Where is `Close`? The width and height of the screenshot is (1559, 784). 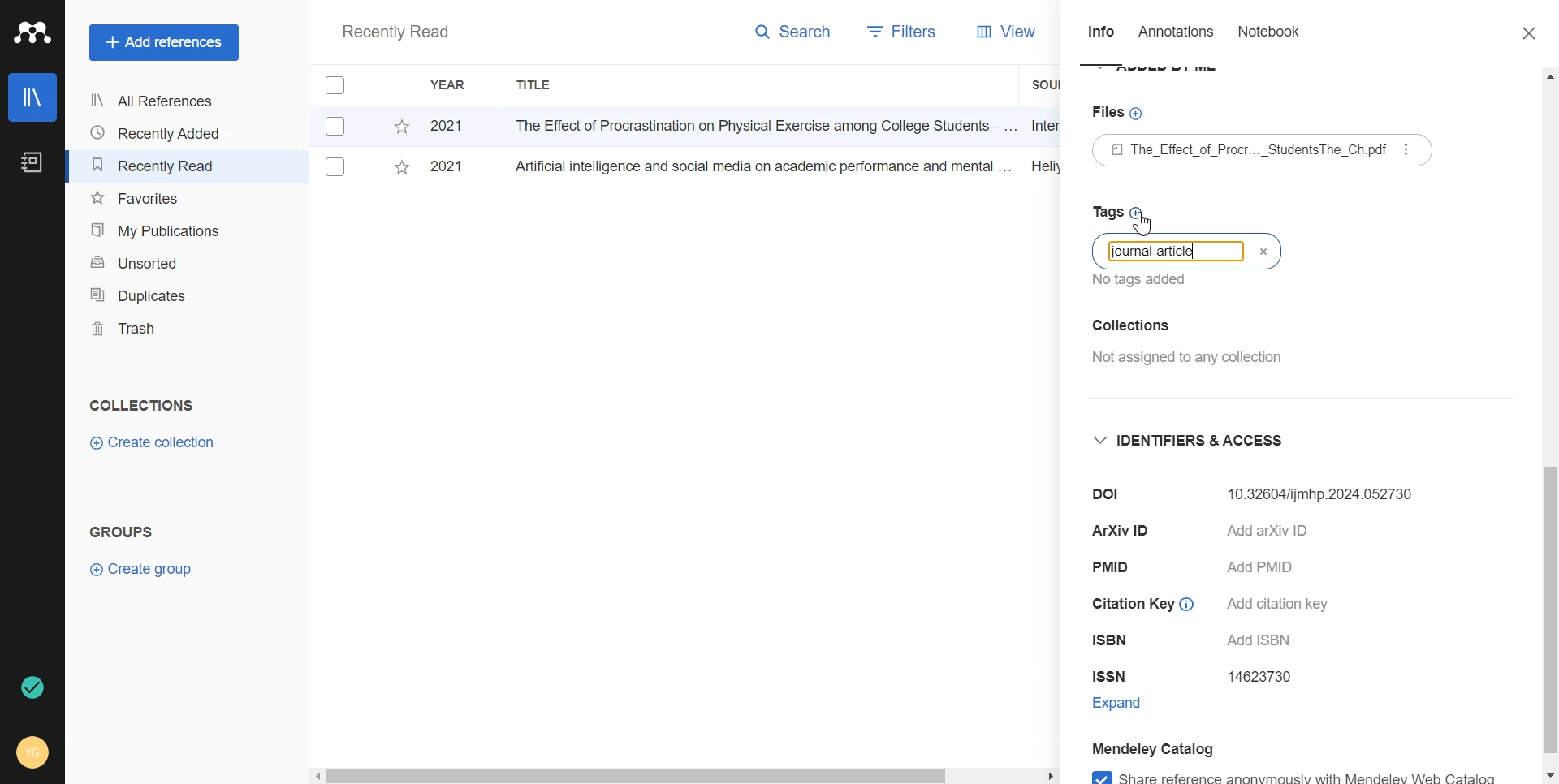
Close is located at coordinates (1264, 252).